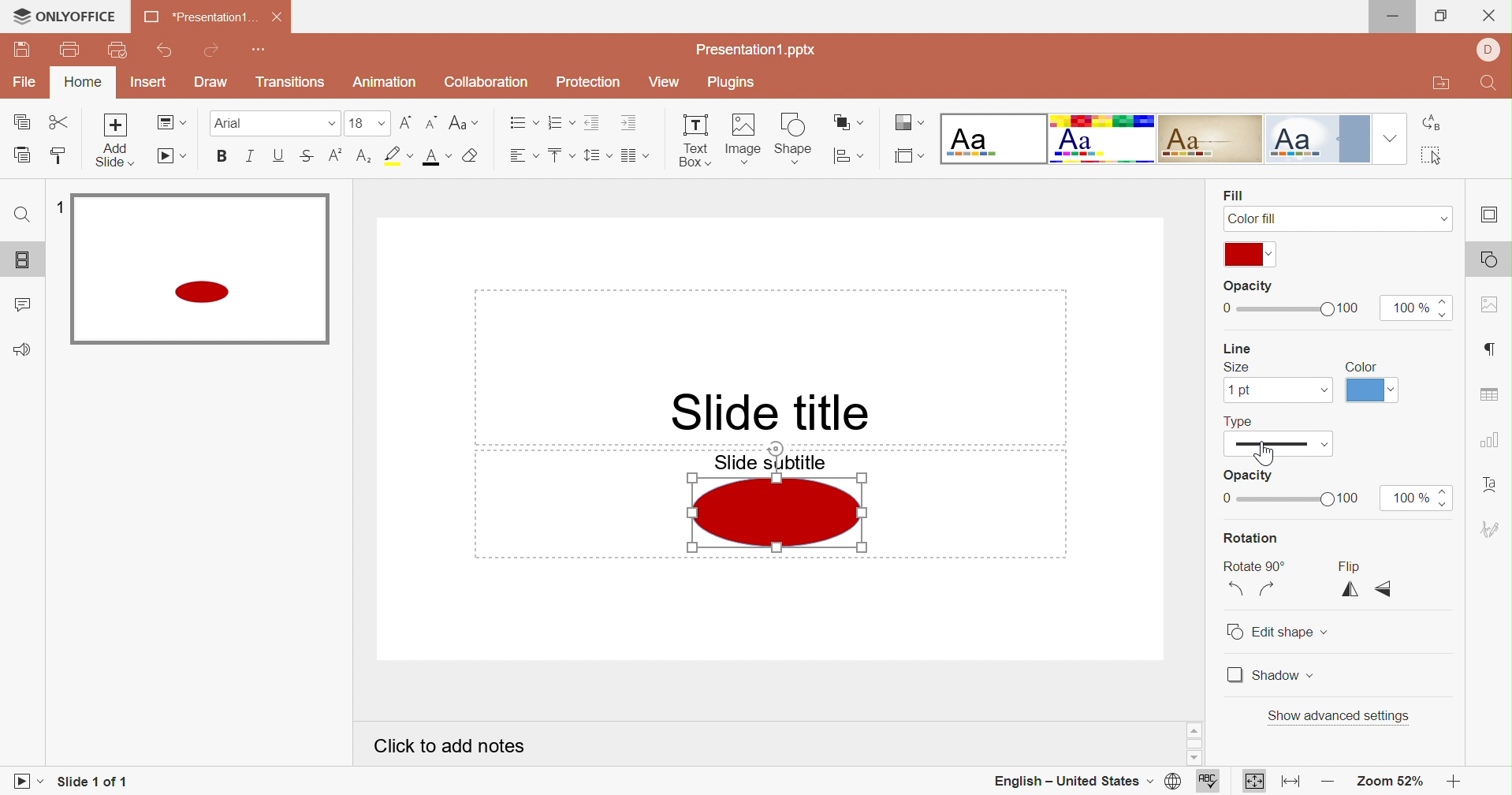 The image size is (1512, 795). I want to click on Table settings, so click(1492, 396).